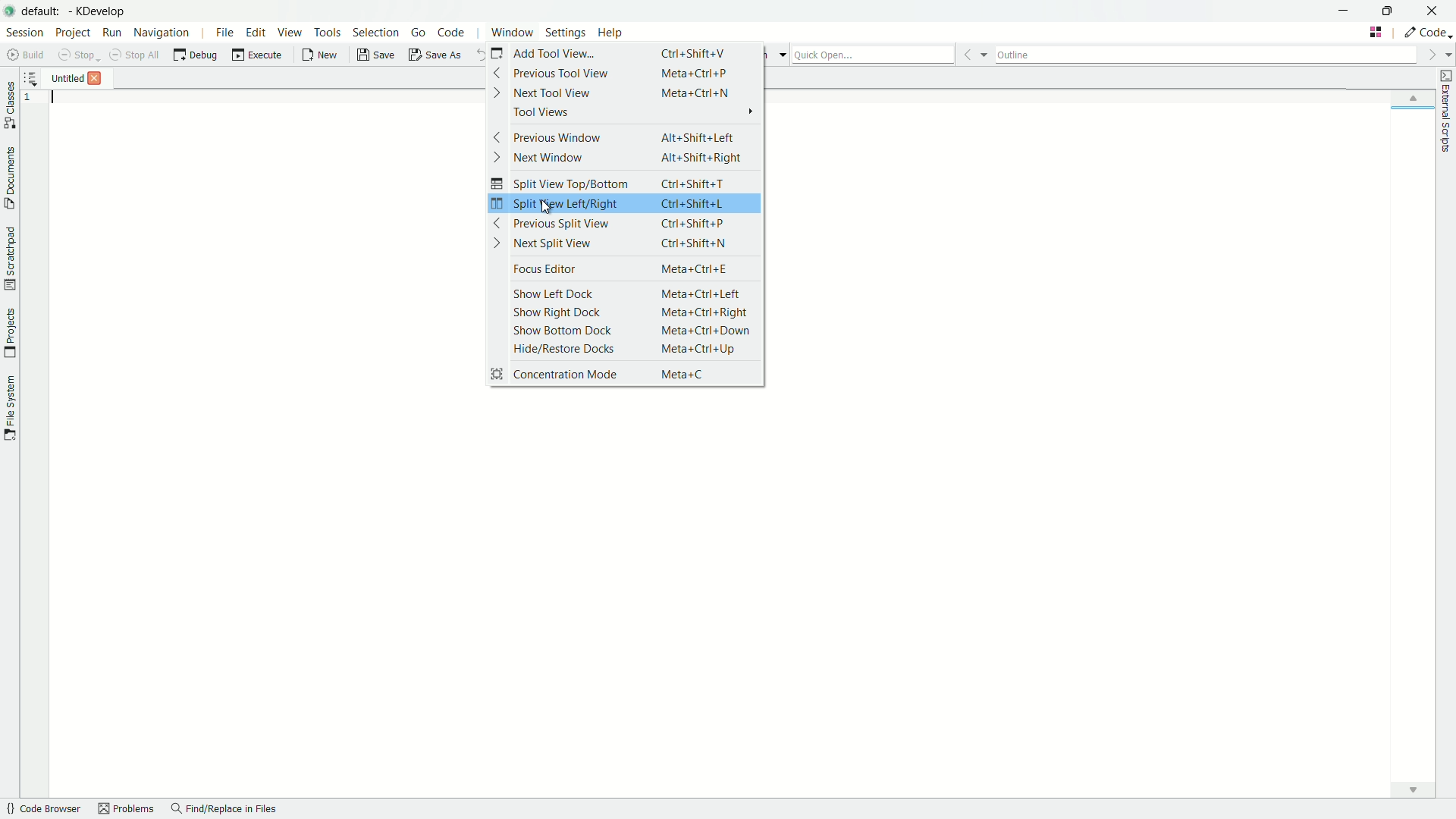 The height and width of the screenshot is (819, 1456). Describe the element at coordinates (10, 259) in the screenshot. I see `toggle scratchpad` at that location.